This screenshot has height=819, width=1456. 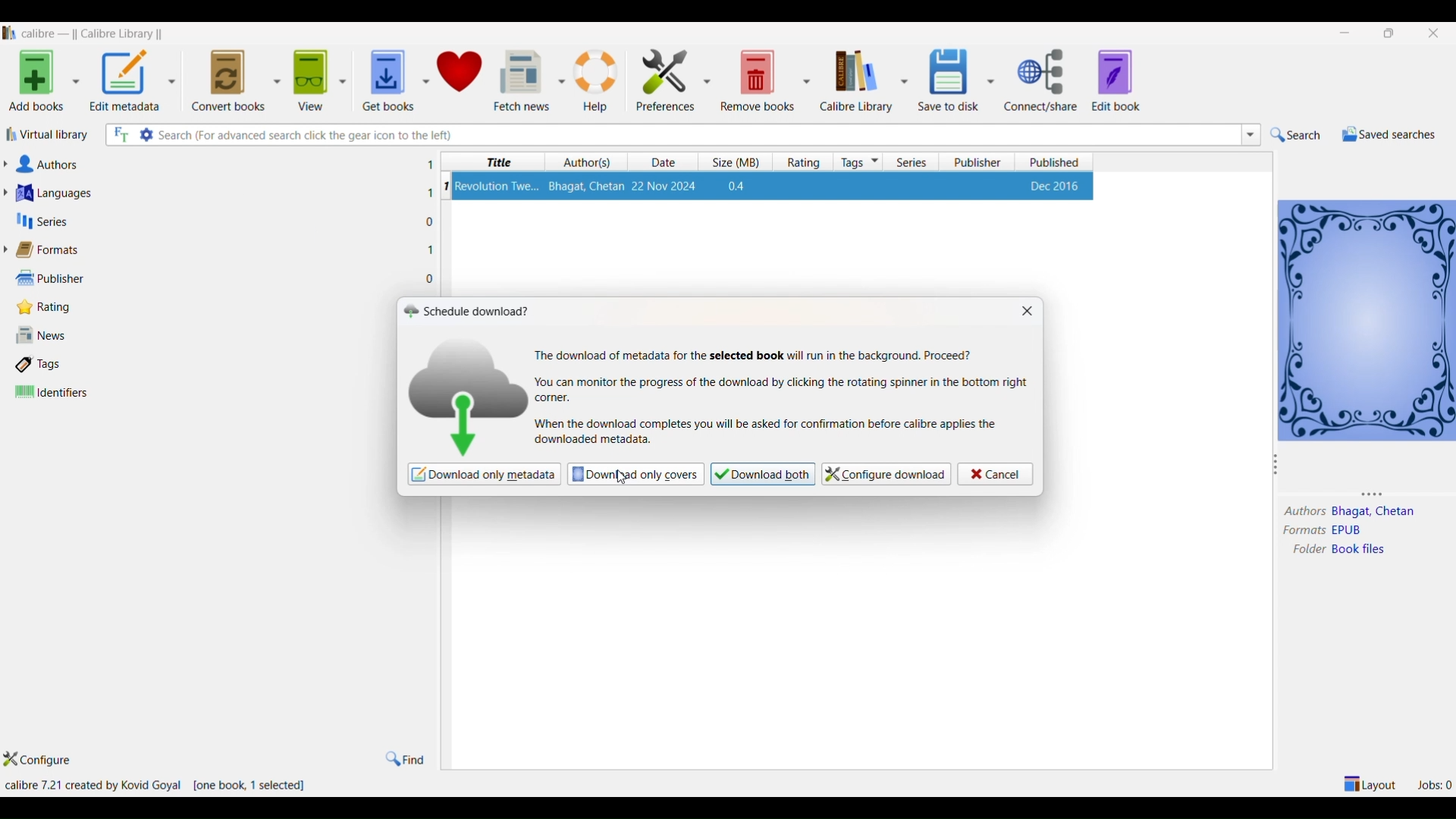 What do you see at coordinates (445, 186) in the screenshot?
I see `1` at bounding box center [445, 186].